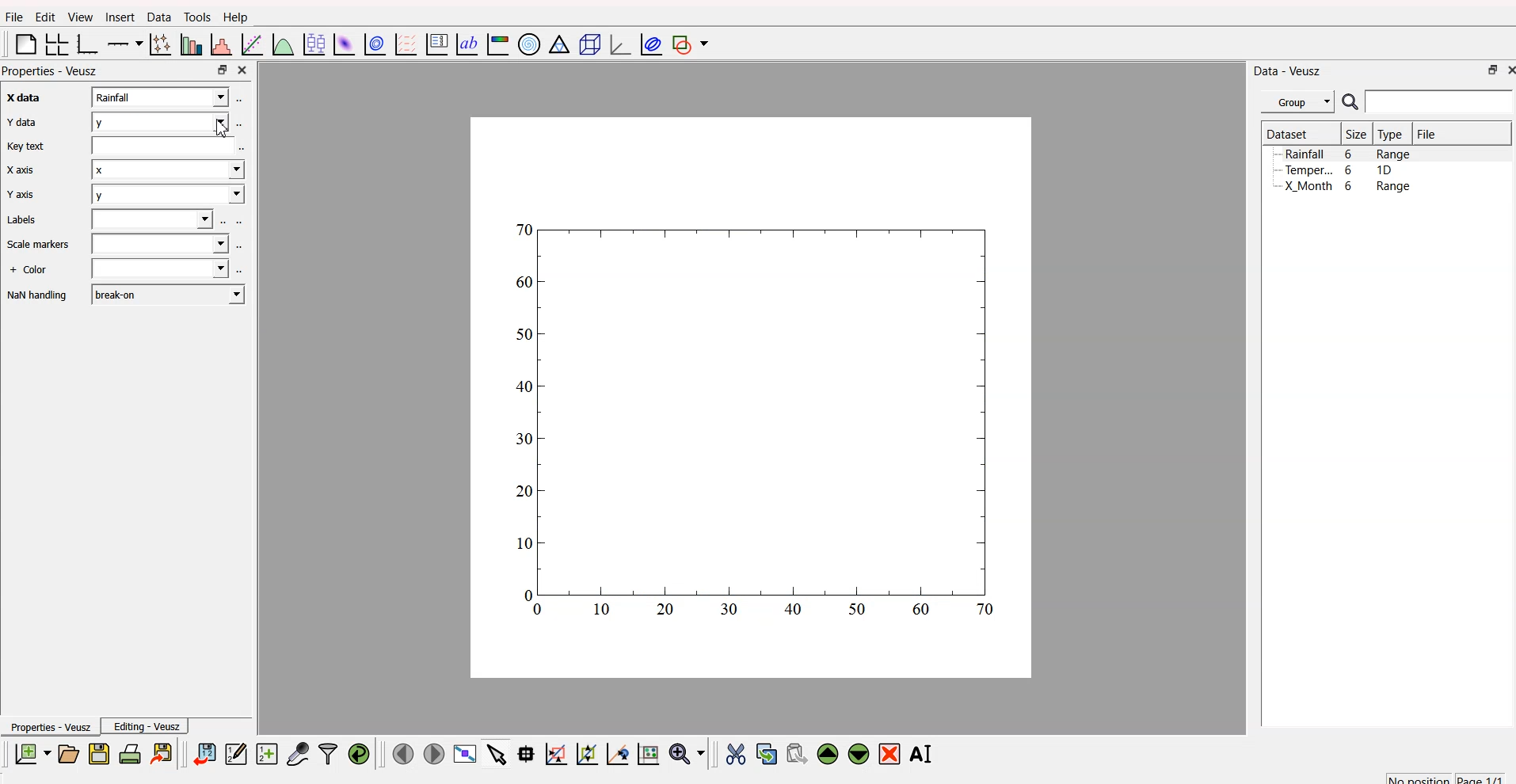 The width and height of the screenshot is (1516, 784). Describe the element at coordinates (160, 120) in the screenshot. I see `y` at that location.